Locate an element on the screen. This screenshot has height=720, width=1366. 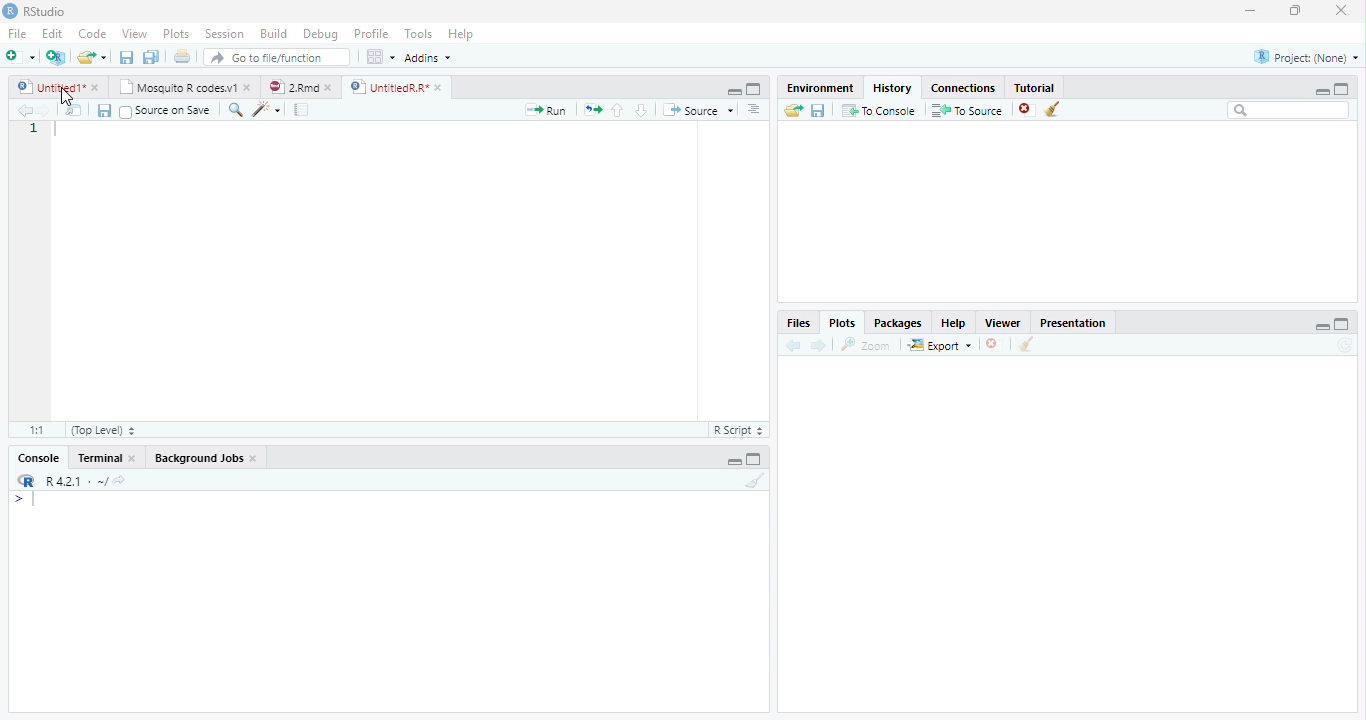
Debug is located at coordinates (324, 35).